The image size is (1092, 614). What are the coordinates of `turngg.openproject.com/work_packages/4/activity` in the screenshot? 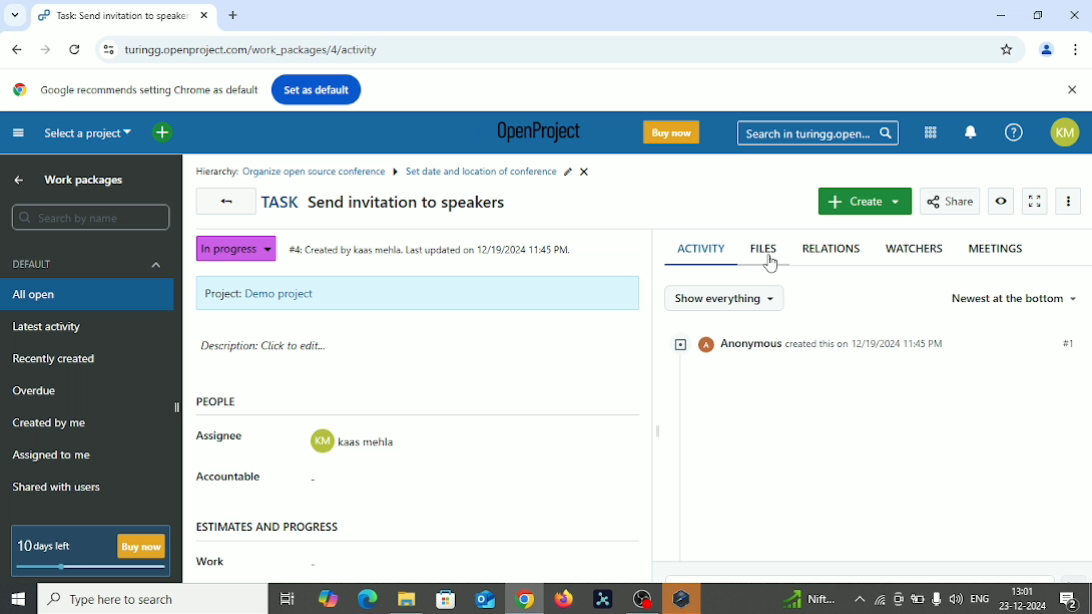 It's located at (252, 51).